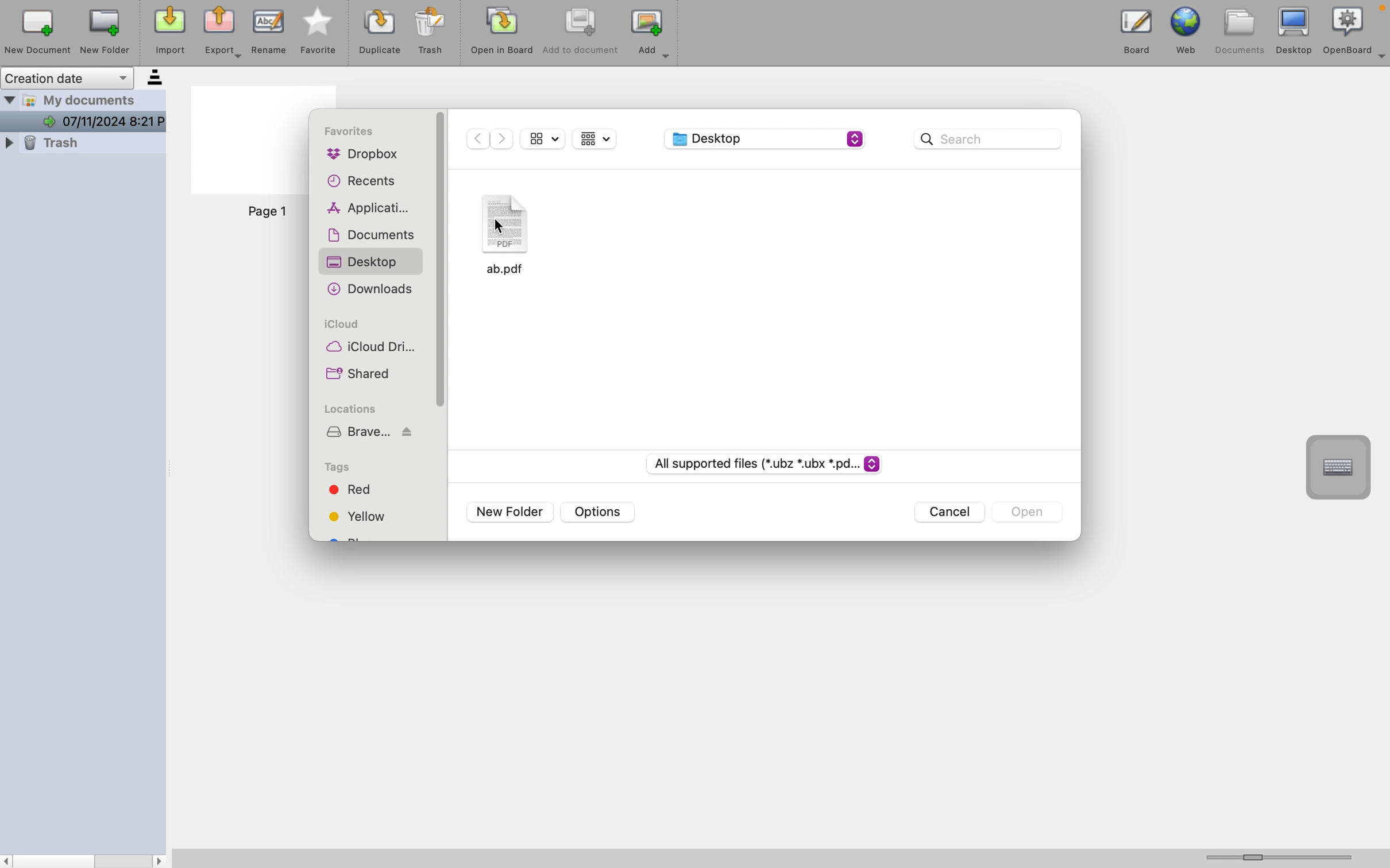 The image size is (1390, 868). I want to click on desktop, so click(767, 138).